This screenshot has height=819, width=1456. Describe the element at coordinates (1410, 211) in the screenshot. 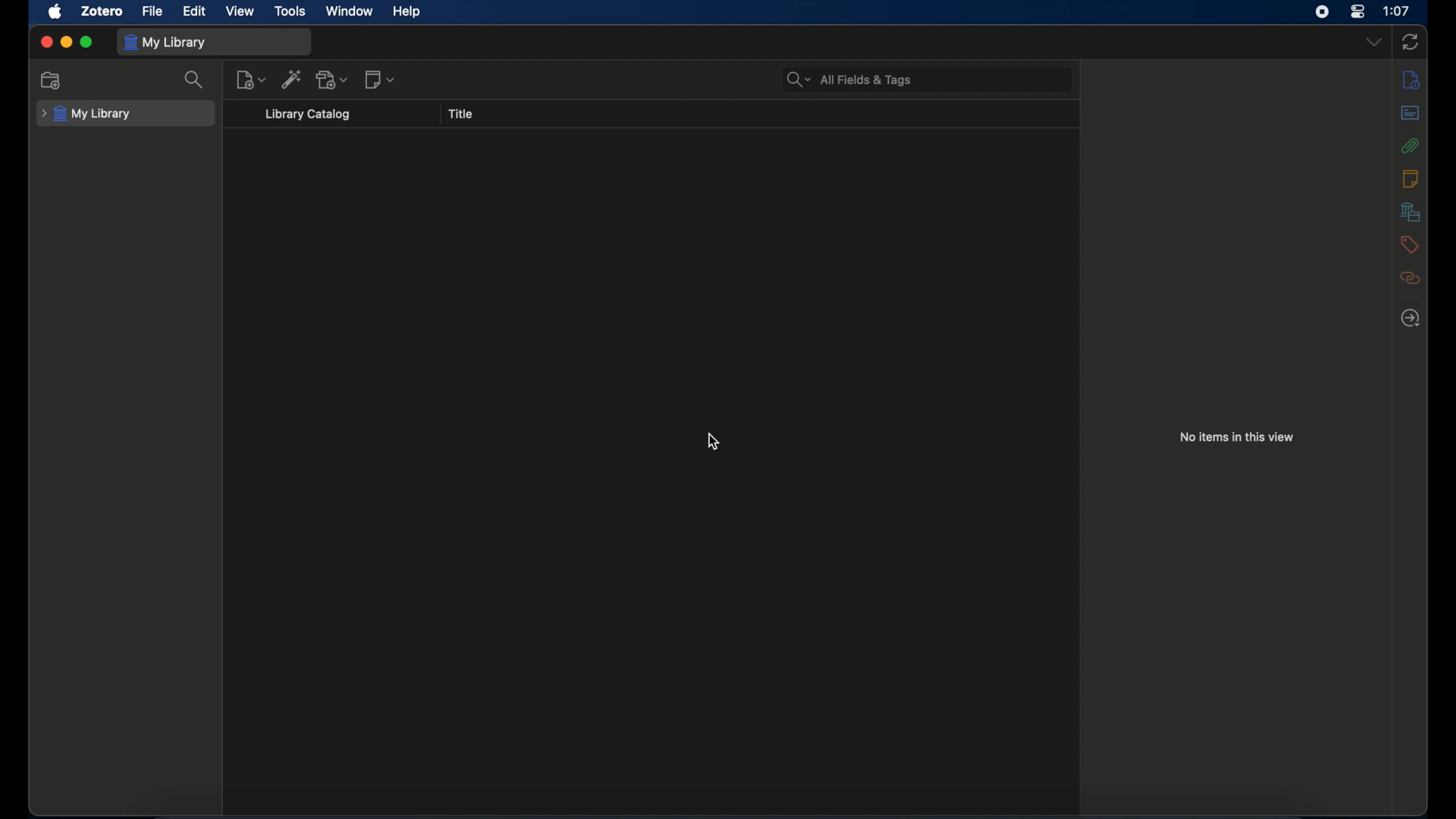

I see `libraries` at that location.